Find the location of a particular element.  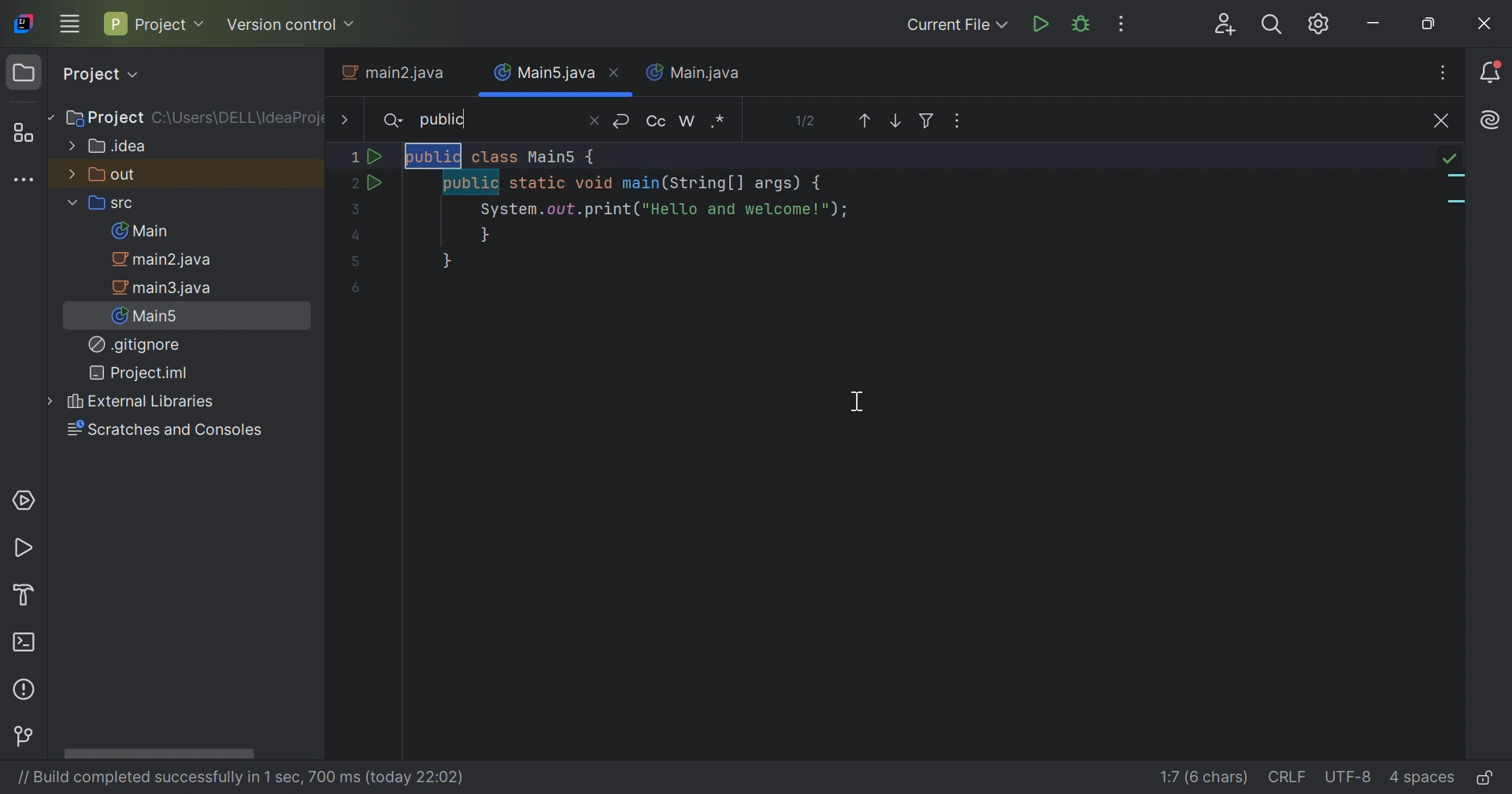

Version Control is located at coordinates (26, 738).